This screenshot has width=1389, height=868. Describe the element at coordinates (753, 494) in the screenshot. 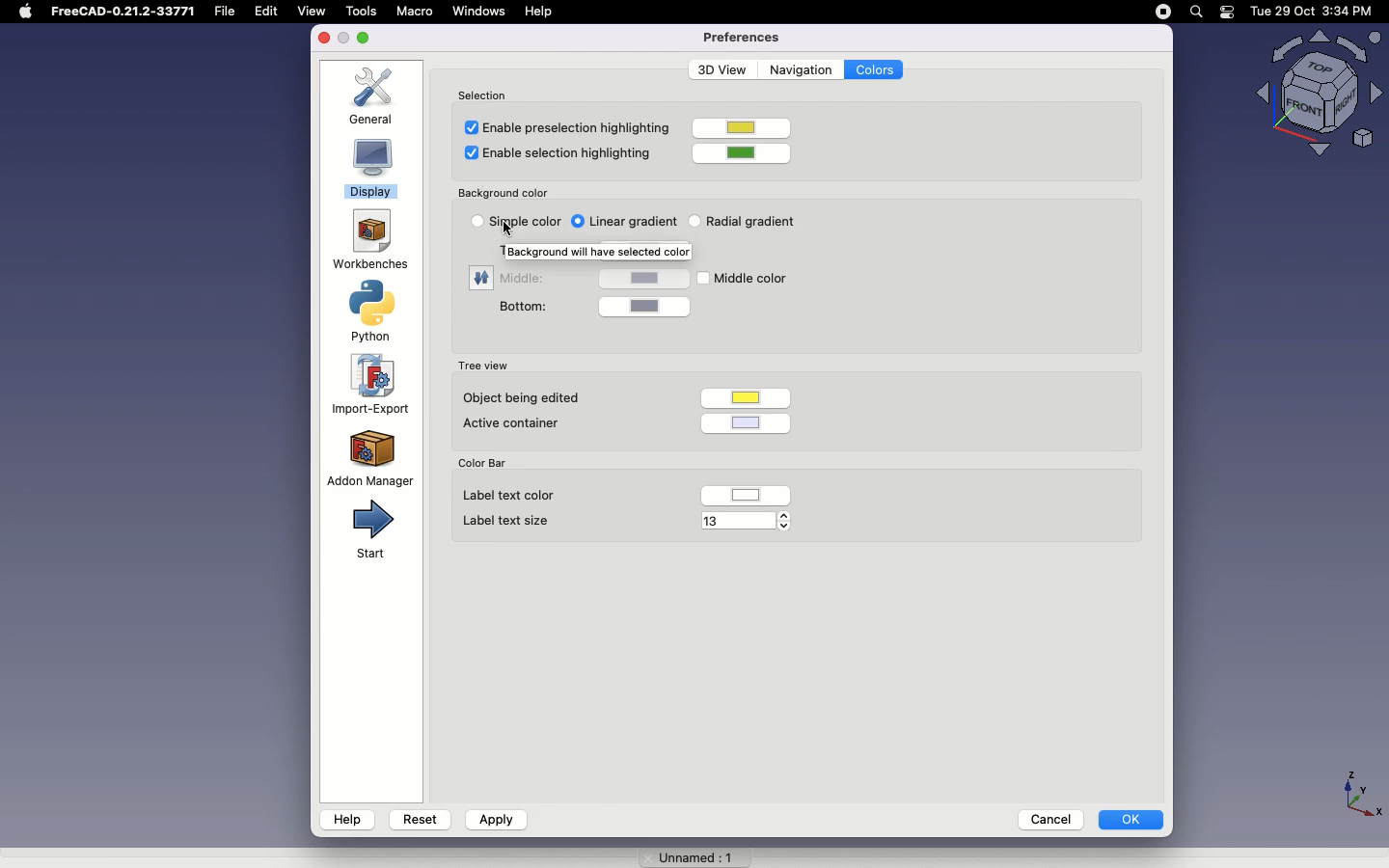

I see `color` at that location.